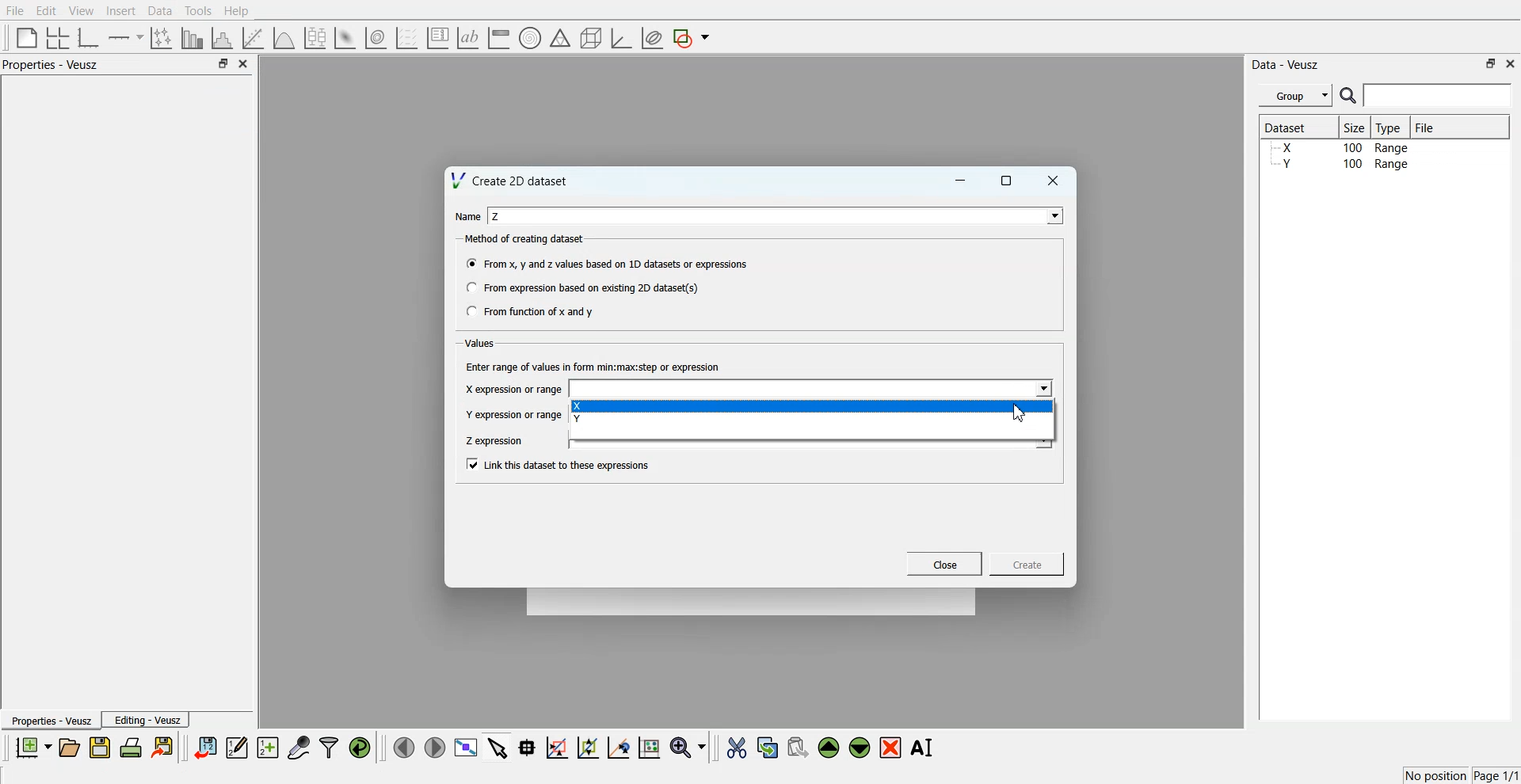  What do you see at coordinates (125, 39) in the screenshot?
I see `Add axis to the pane` at bounding box center [125, 39].